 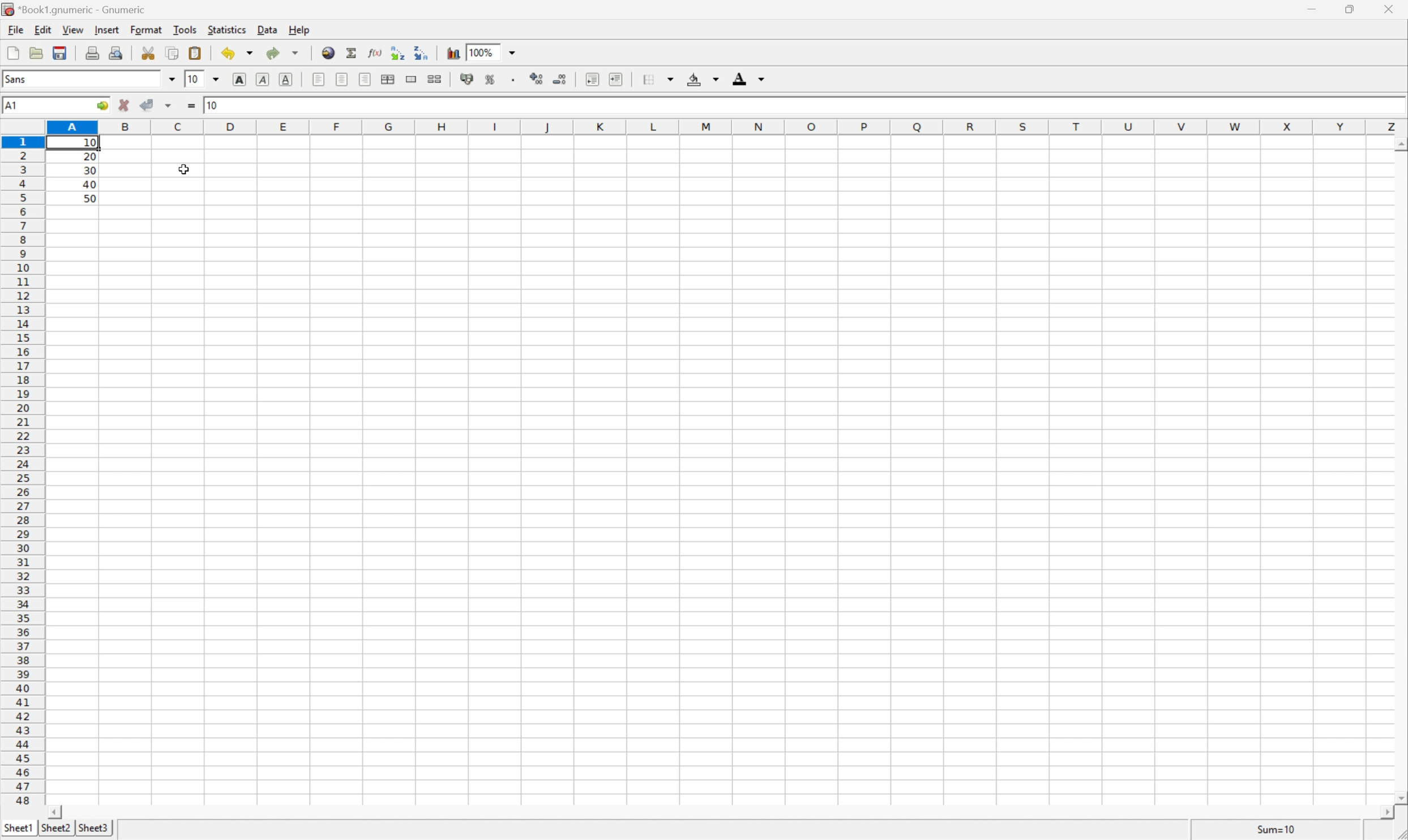 I want to click on File, so click(x=12, y=50).